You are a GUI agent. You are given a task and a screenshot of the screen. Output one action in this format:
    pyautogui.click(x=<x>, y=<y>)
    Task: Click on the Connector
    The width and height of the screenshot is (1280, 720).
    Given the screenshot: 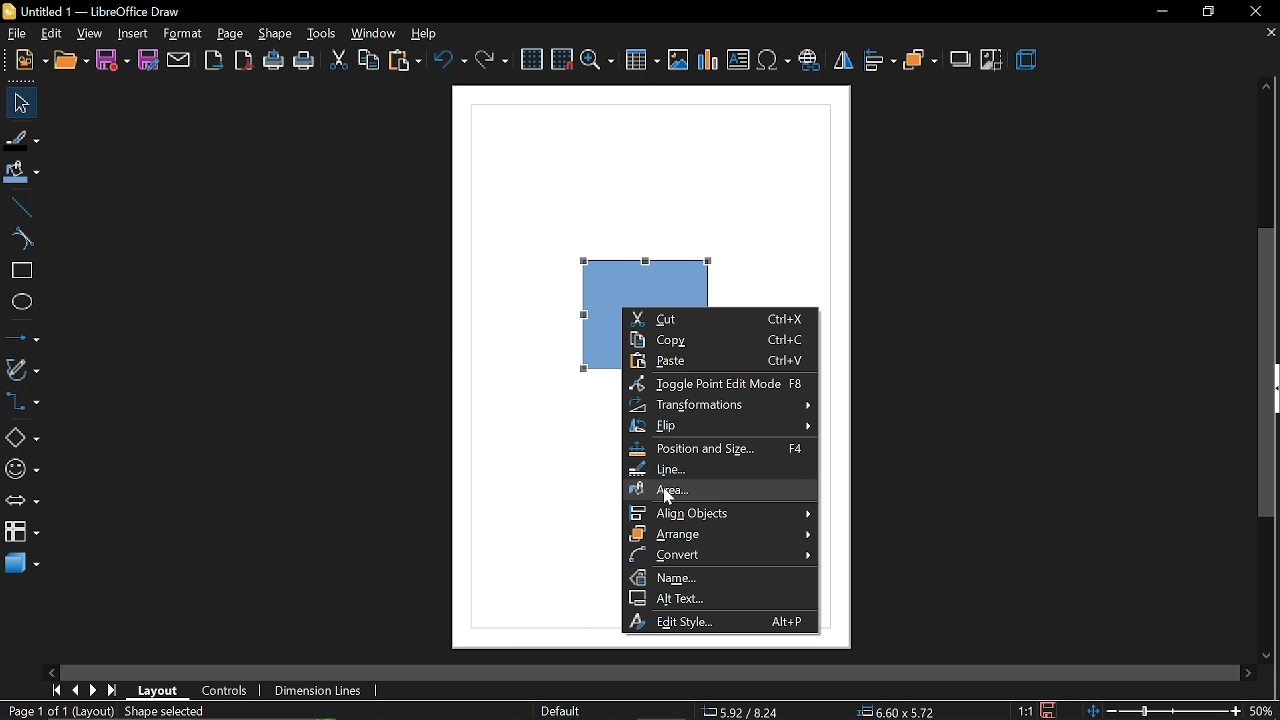 What is the action you would take?
    pyautogui.click(x=21, y=404)
    